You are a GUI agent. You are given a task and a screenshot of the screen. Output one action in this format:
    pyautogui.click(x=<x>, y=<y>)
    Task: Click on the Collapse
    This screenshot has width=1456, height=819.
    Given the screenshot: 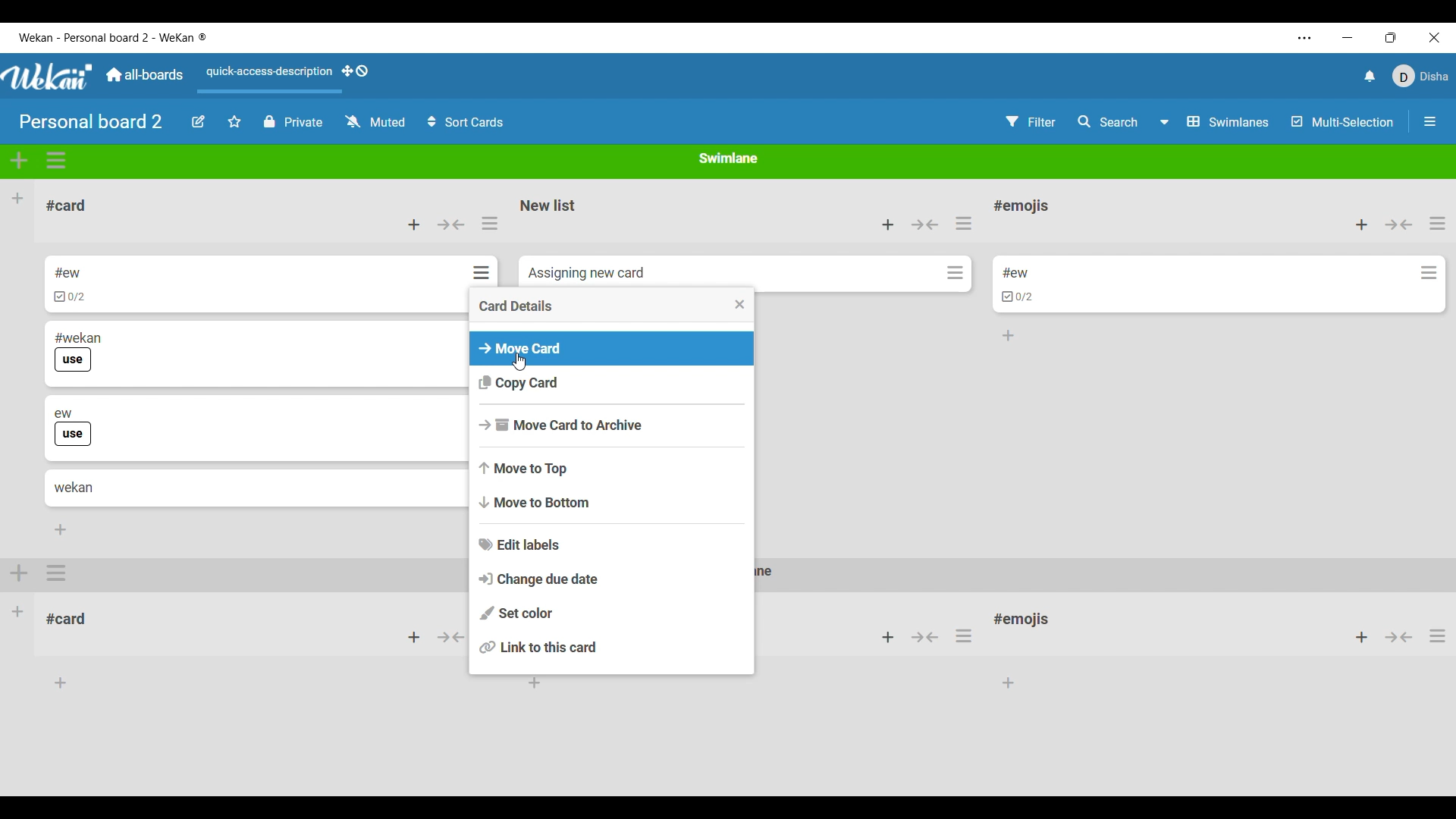 What is the action you would take?
    pyautogui.click(x=925, y=224)
    